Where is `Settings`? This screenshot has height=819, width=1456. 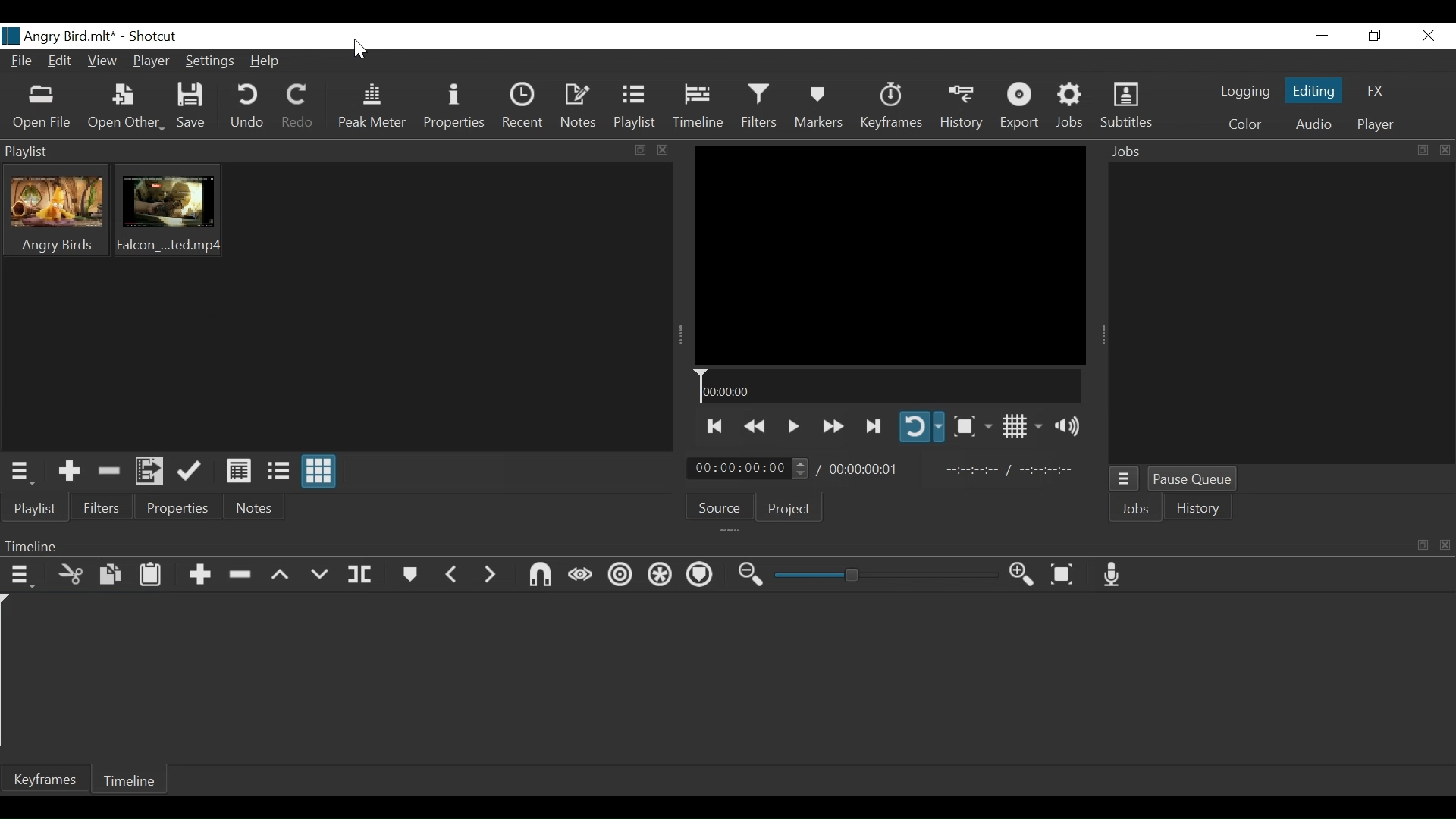
Settings is located at coordinates (210, 62).